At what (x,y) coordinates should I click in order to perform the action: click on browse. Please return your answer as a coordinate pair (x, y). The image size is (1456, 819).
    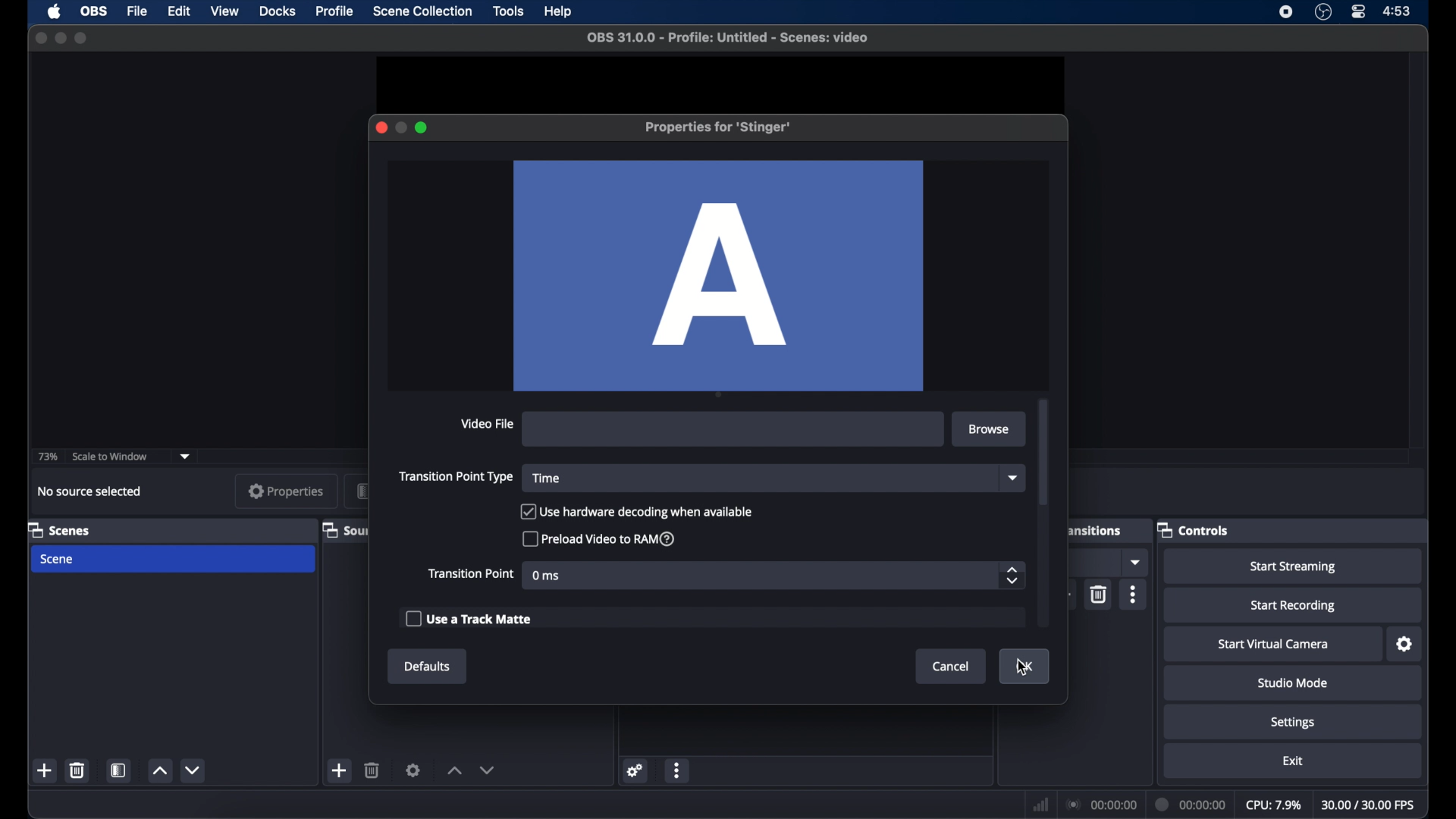
    Looking at the image, I should click on (990, 429).